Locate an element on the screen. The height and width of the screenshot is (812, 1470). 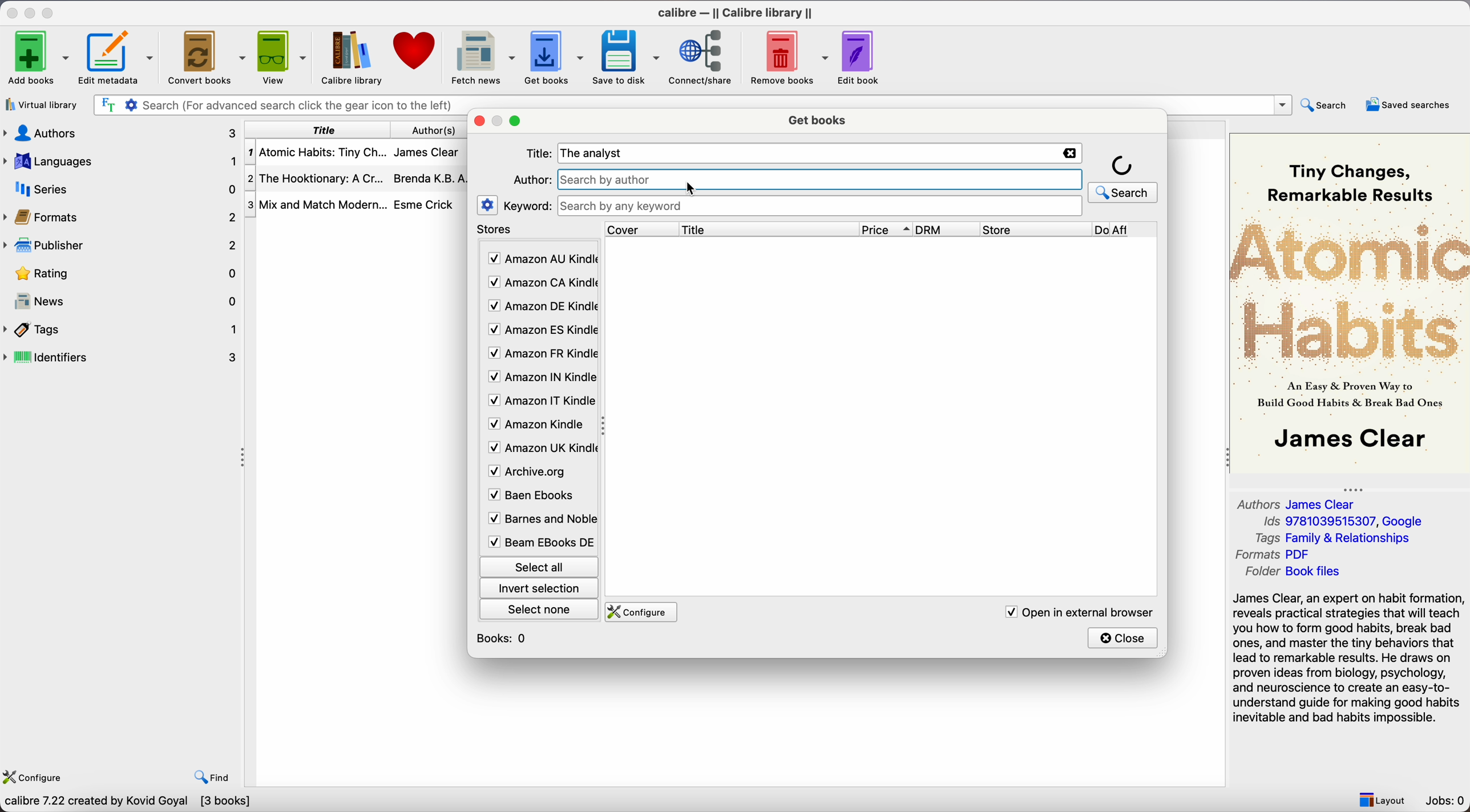
remove books is located at coordinates (789, 57).